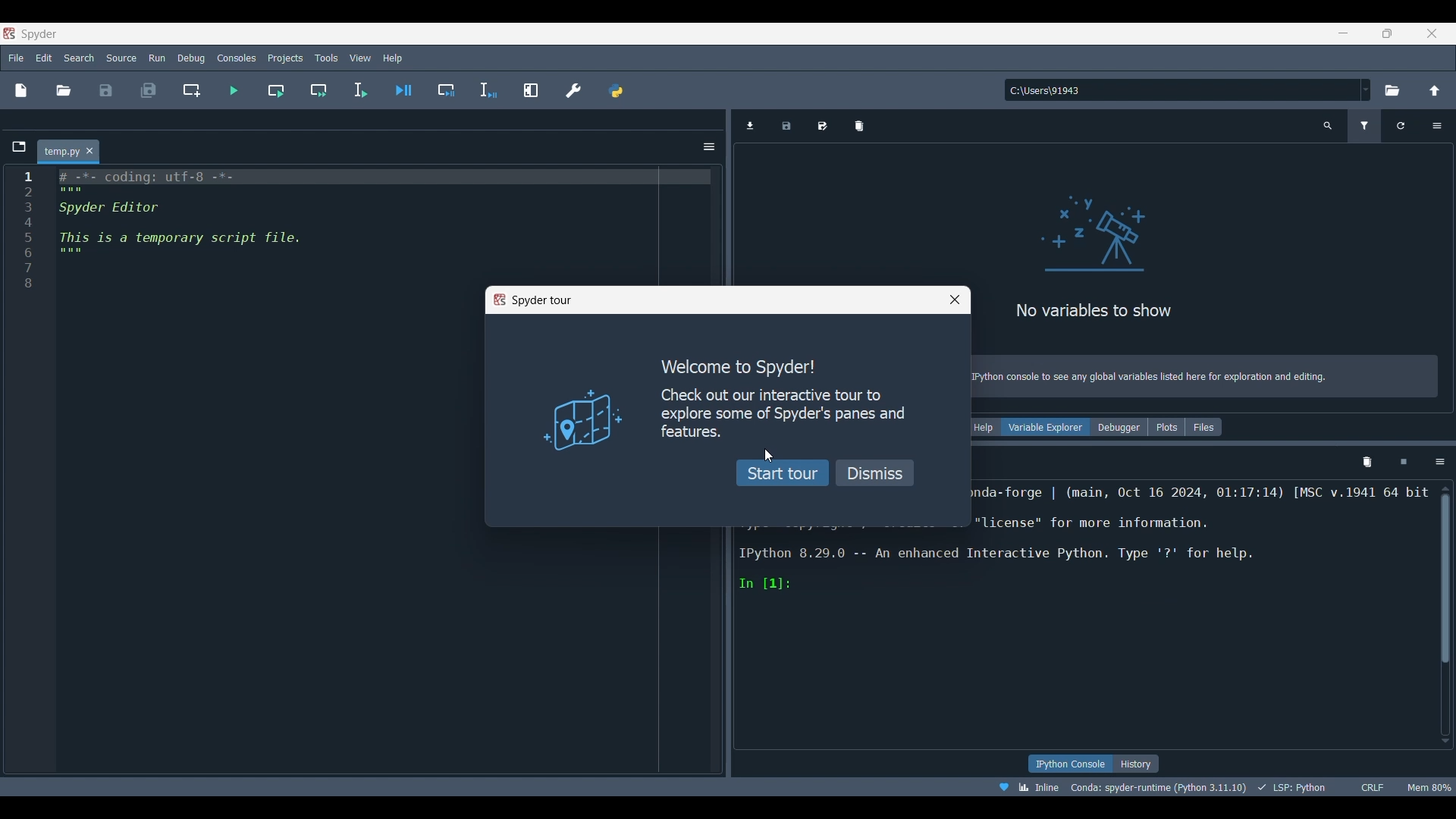 Image resolution: width=1456 pixels, height=819 pixels. What do you see at coordinates (1097, 311) in the screenshot?
I see `No variables to show` at bounding box center [1097, 311].